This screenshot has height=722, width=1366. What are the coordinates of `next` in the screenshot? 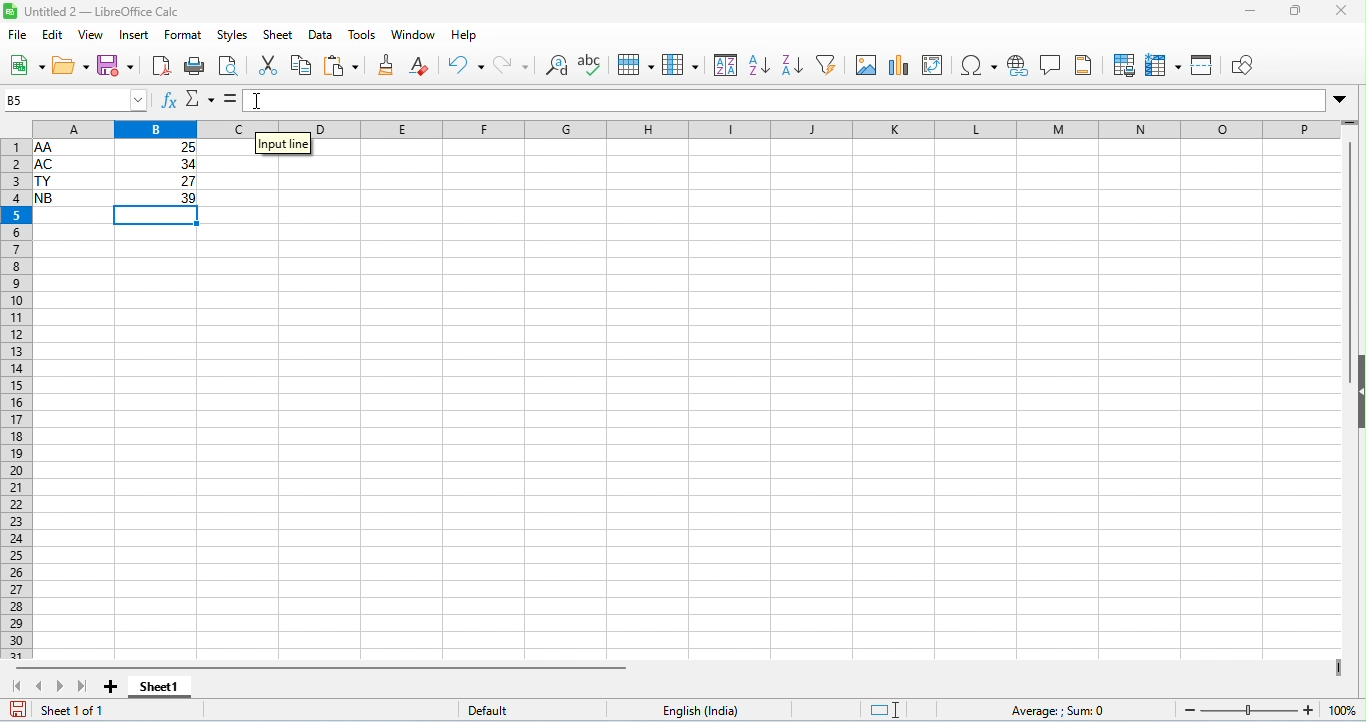 It's located at (61, 685).